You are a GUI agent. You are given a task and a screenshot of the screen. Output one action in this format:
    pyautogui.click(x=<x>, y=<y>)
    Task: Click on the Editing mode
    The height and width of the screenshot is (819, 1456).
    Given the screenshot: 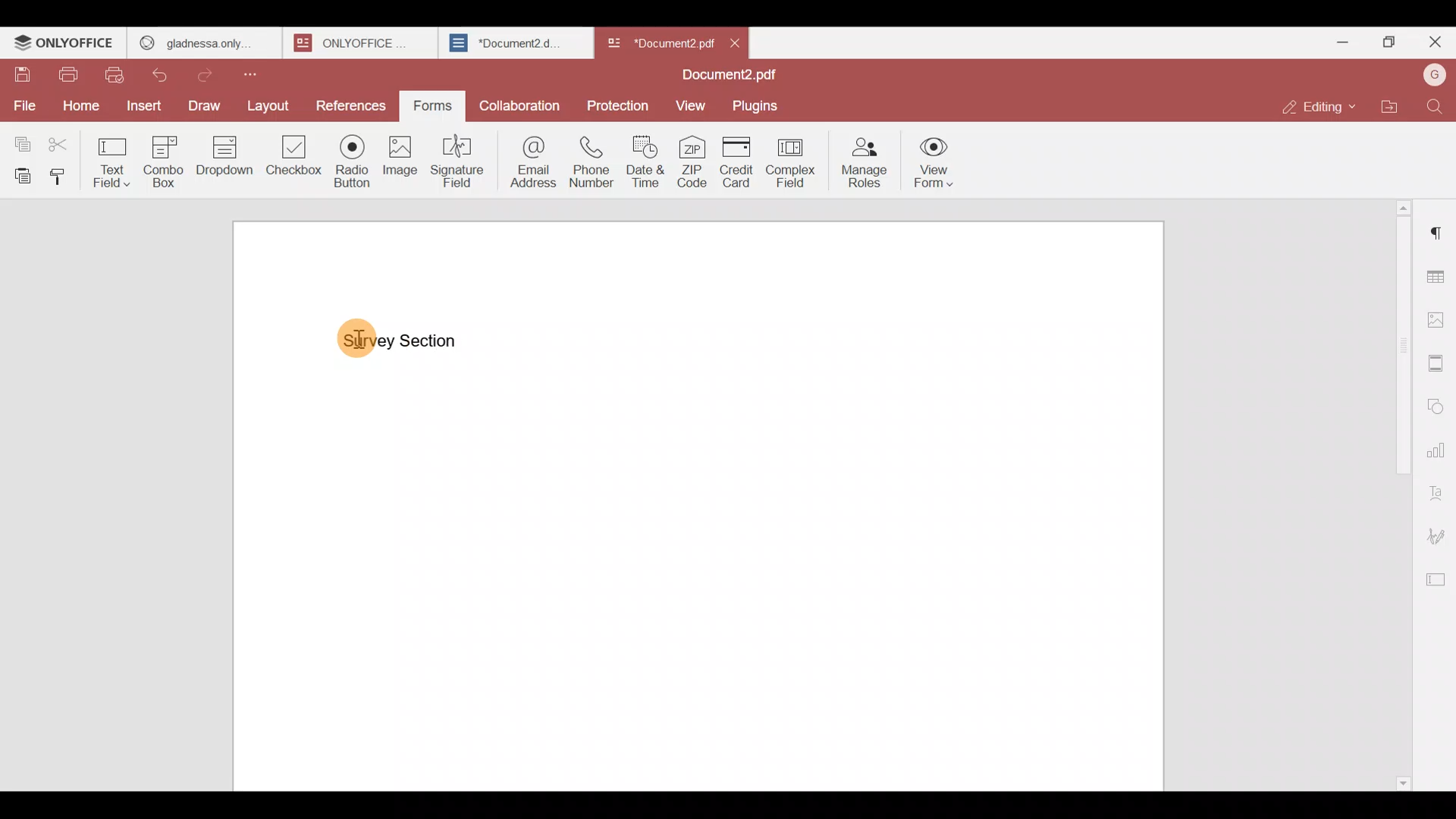 What is the action you would take?
    pyautogui.click(x=1321, y=102)
    